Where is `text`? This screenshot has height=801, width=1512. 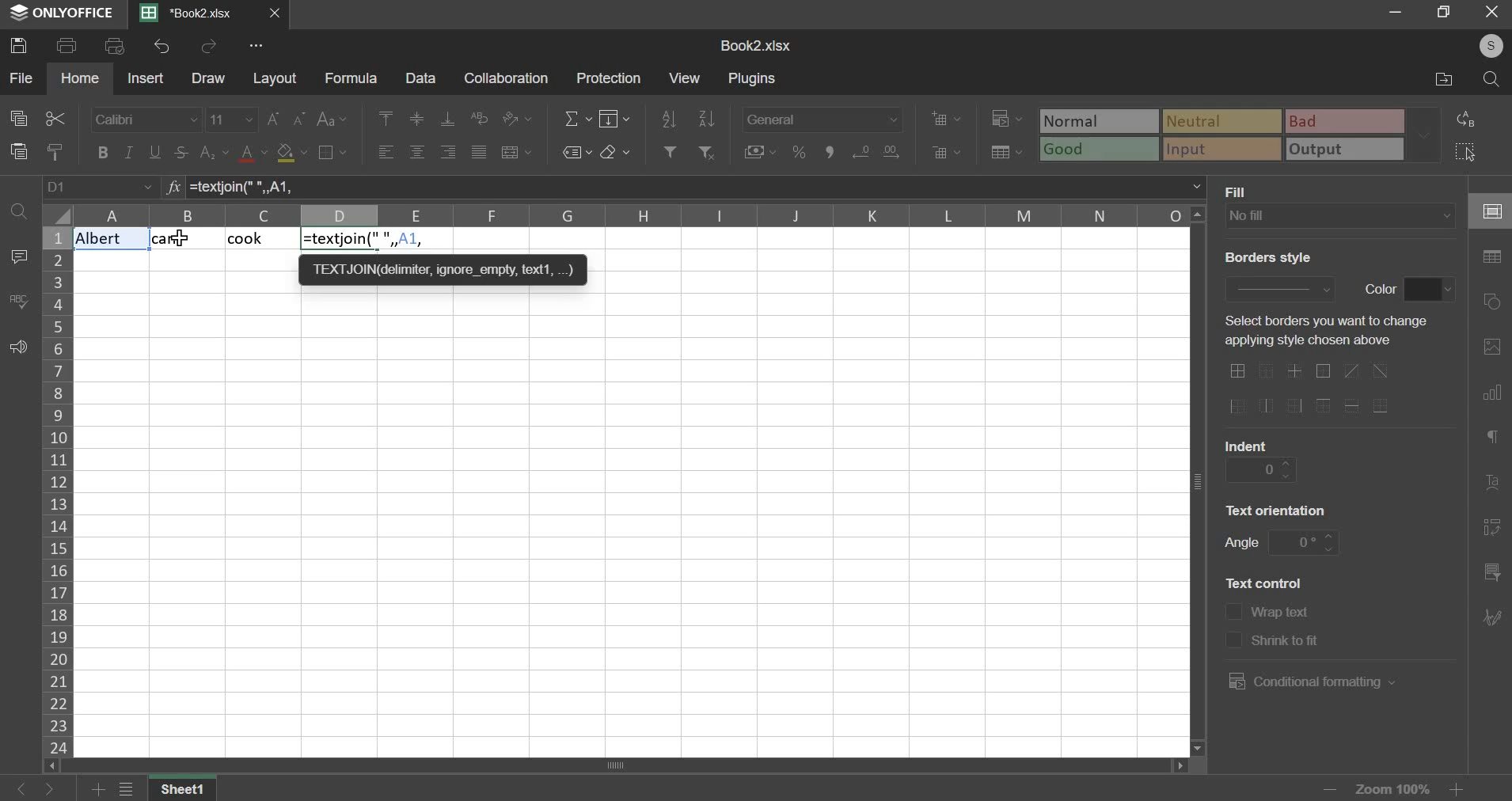 text is located at coordinates (1247, 443).